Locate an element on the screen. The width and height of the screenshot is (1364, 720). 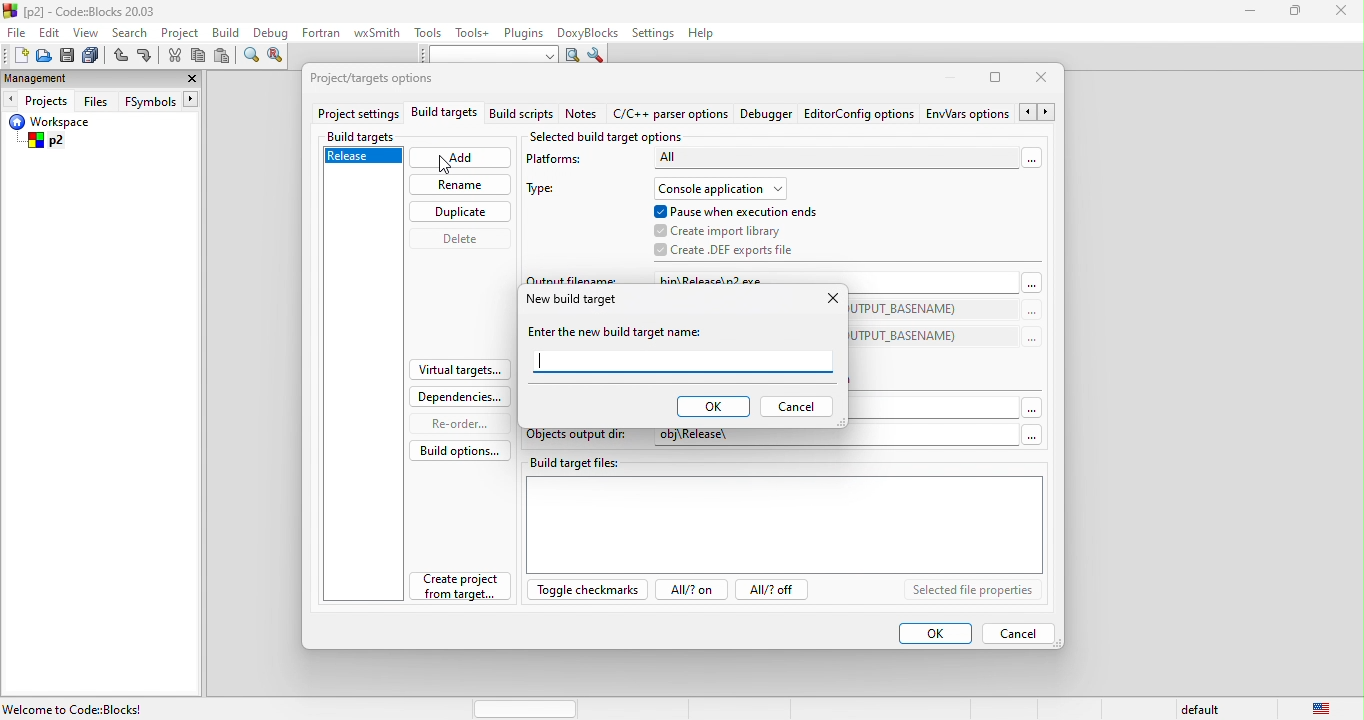
minimize is located at coordinates (1250, 13).